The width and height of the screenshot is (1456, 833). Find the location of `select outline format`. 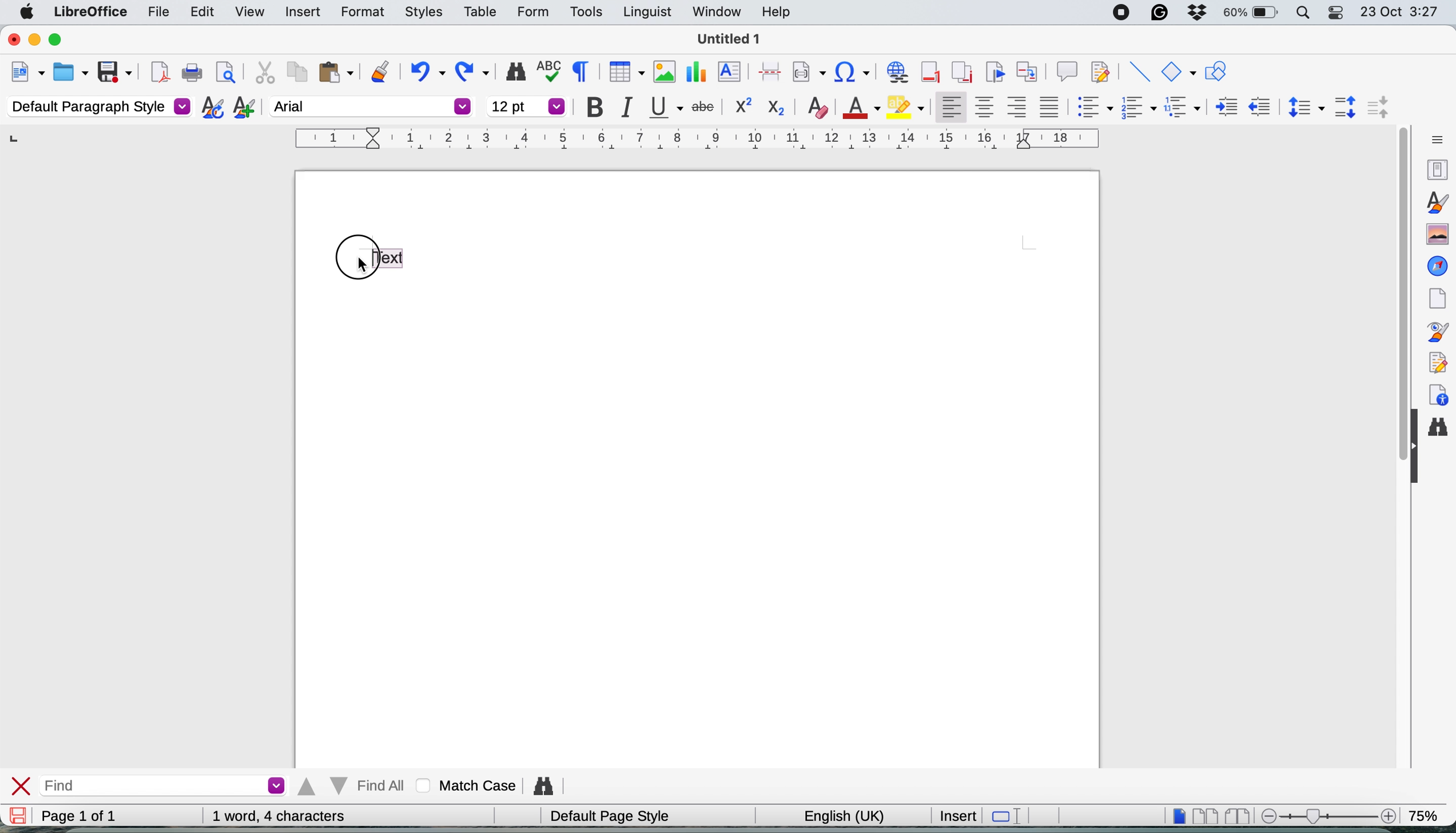

select outline format is located at coordinates (1183, 108).